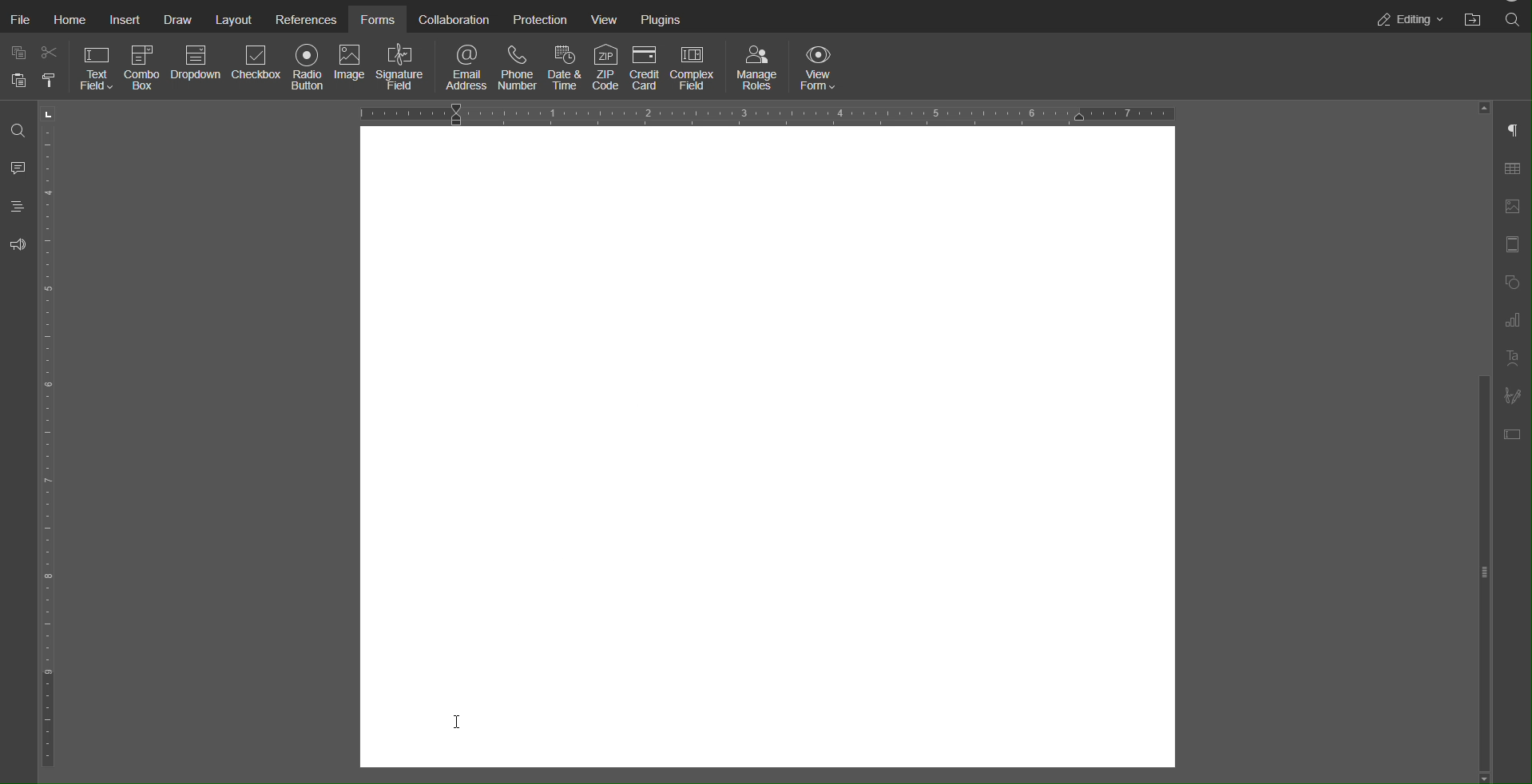 The width and height of the screenshot is (1532, 784). I want to click on Paragraph Settings, so click(1512, 133).